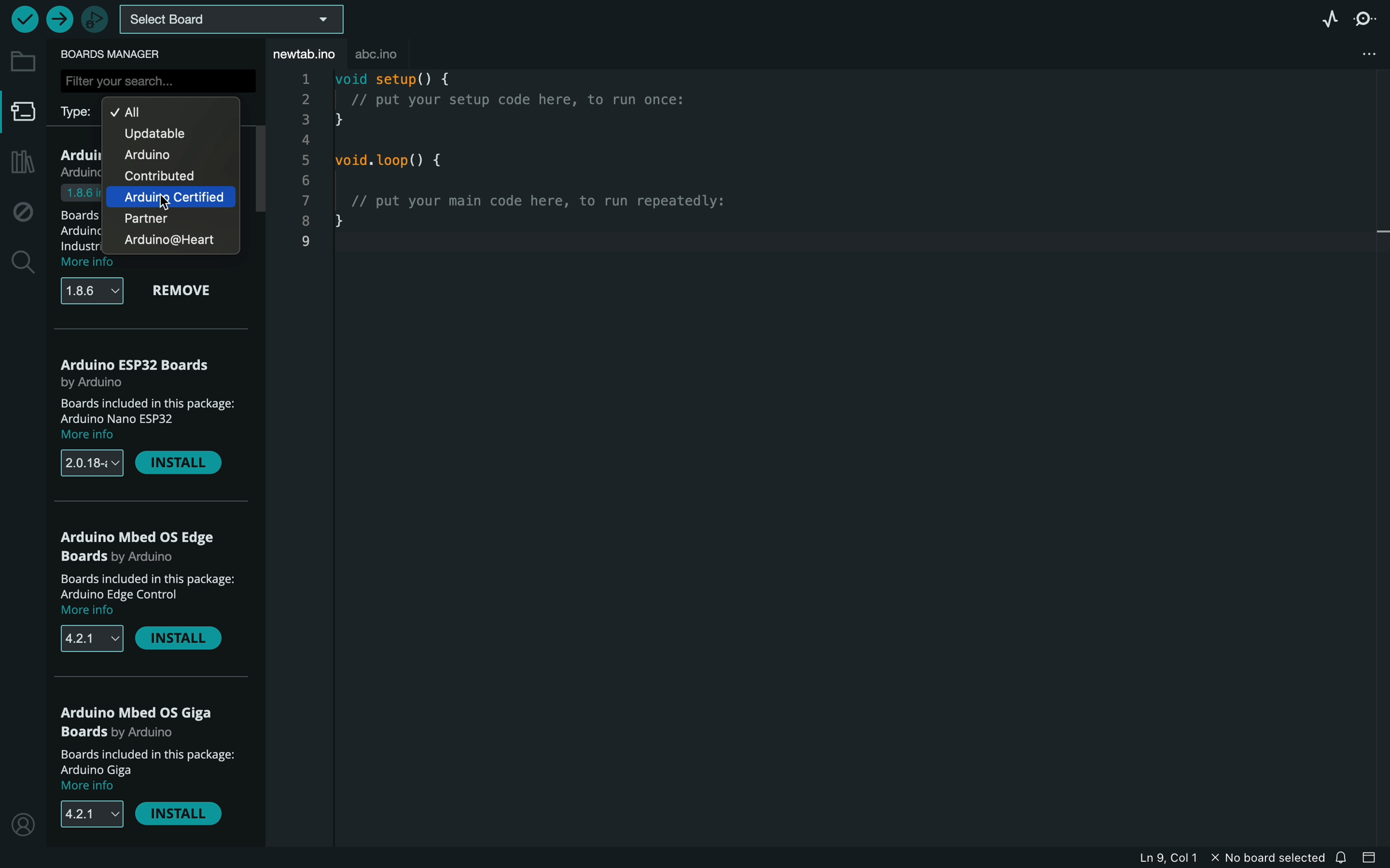 The width and height of the screenshot is (1390, 868). Describe the element at coordinates (94, 638) in the screenshot. I see `versions` at that location.